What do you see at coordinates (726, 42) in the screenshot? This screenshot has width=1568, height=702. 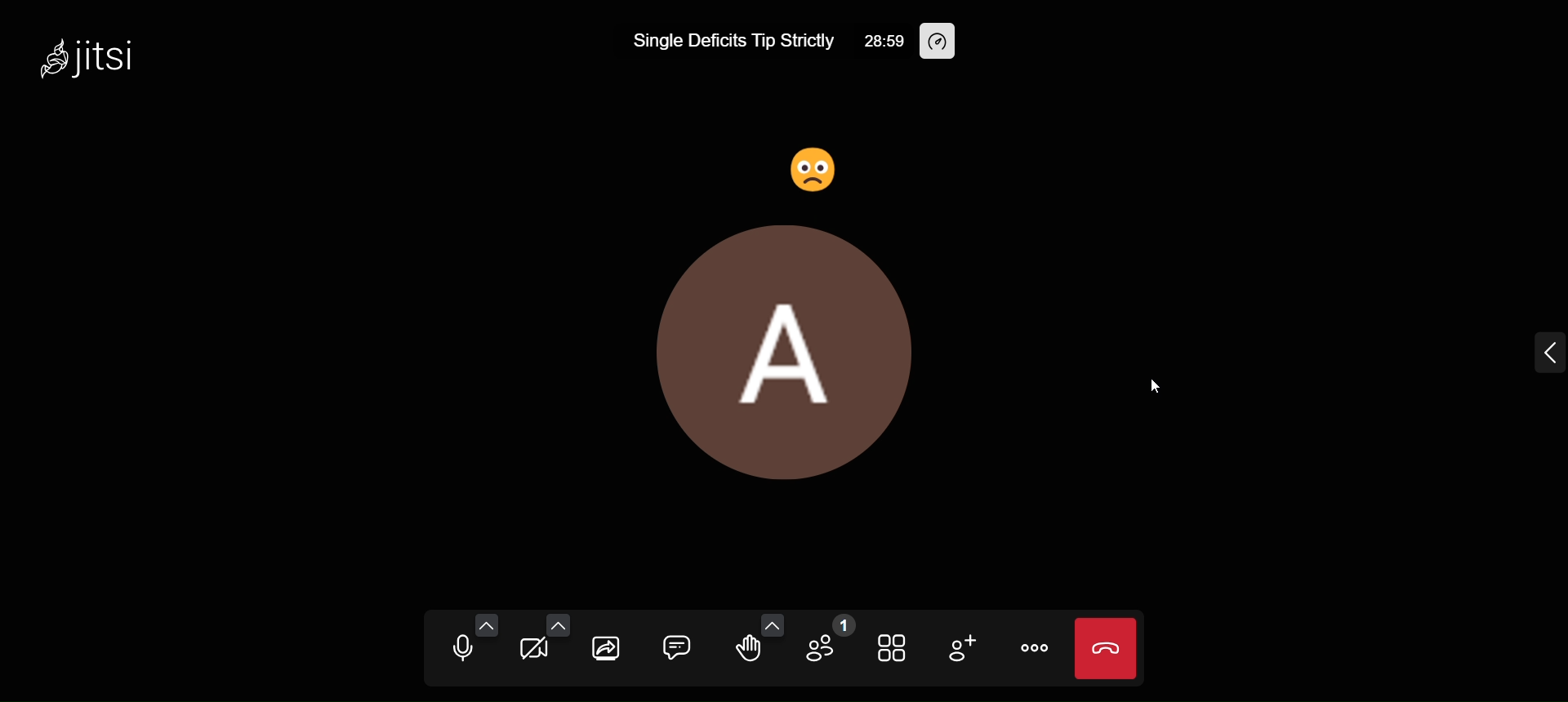 I see `Single Deficits Tip Strictly` at bounding box center [726, 42].